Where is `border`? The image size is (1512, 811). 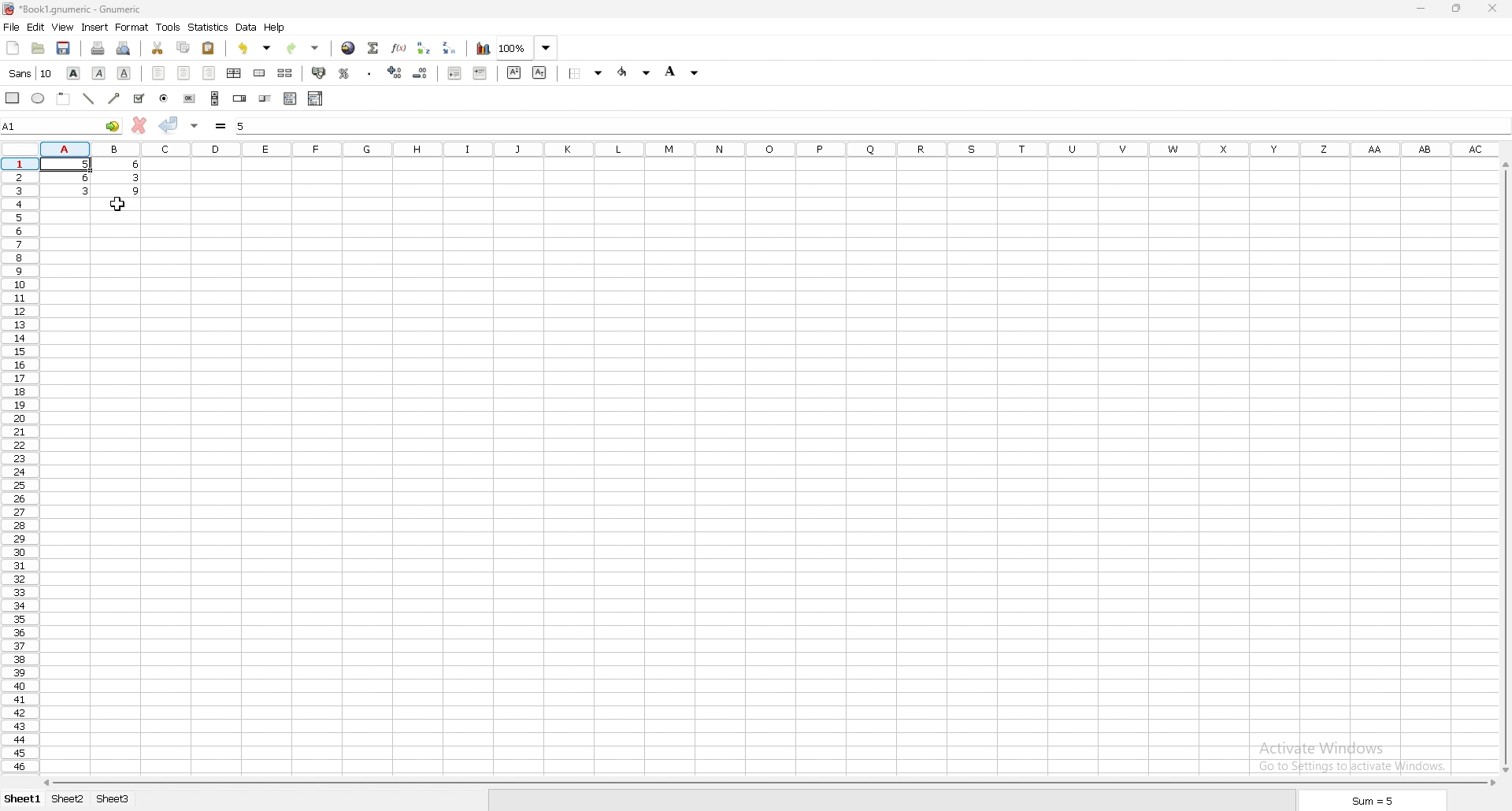 border is located at coordinates (583, 73).